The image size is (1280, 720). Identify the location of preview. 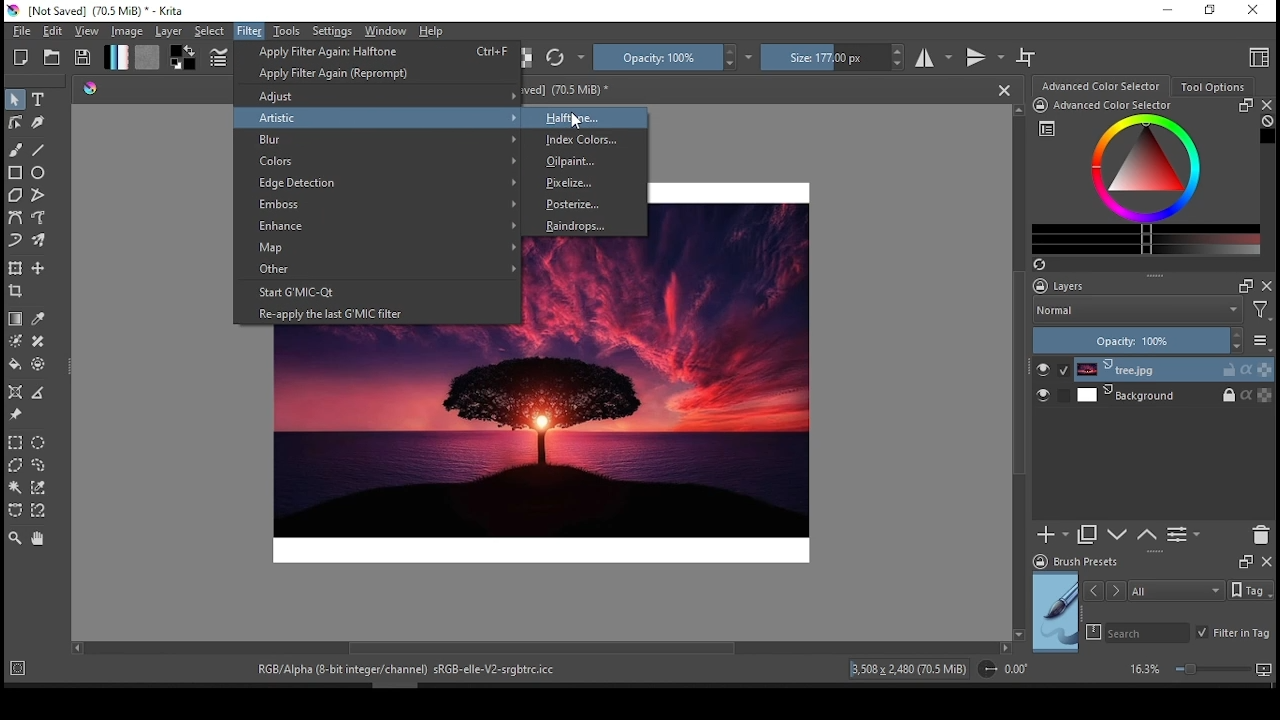
(1056, 613).